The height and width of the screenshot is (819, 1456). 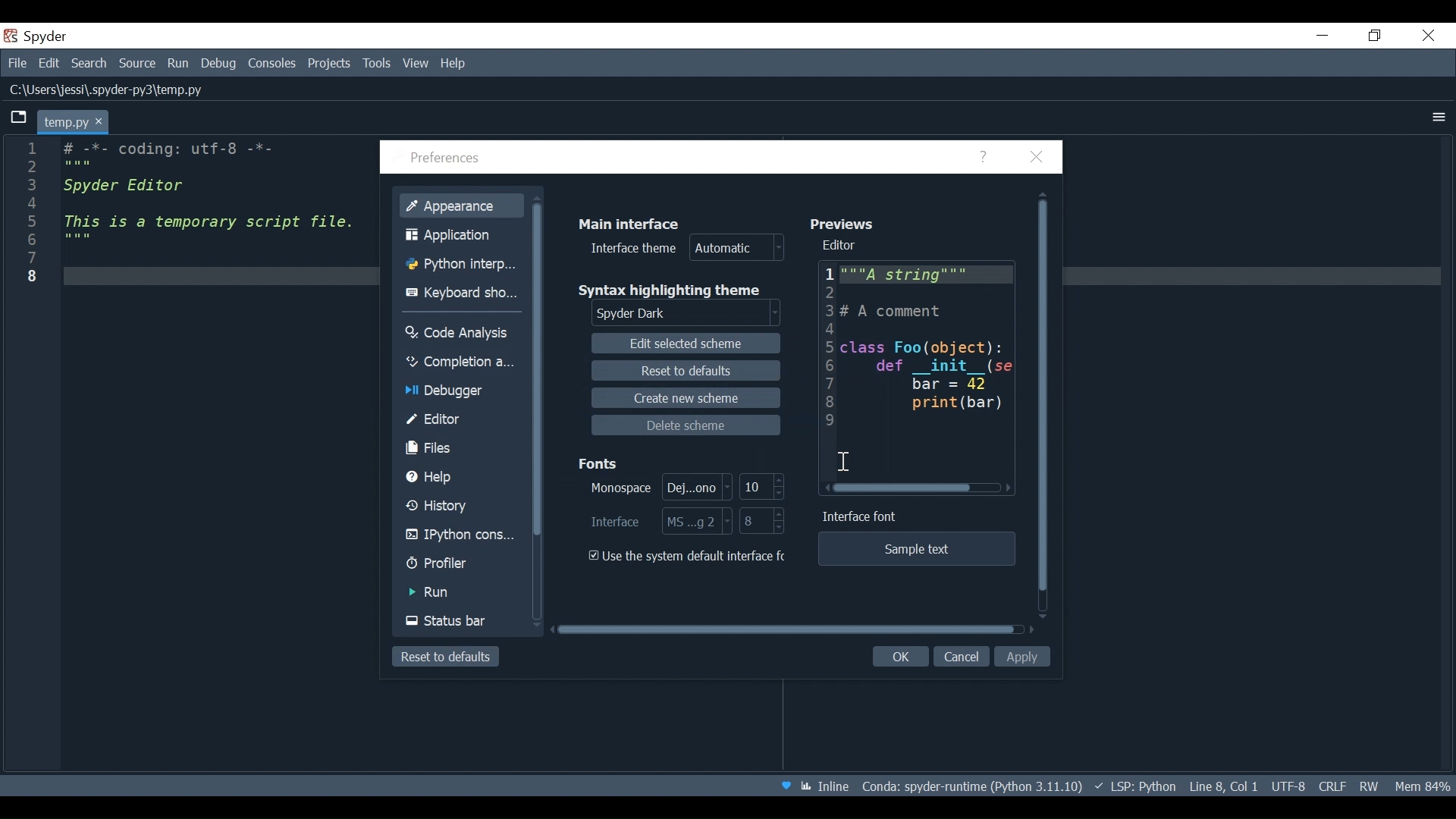 What do you see at coordinates (689, 314) in the screenshot?
I see `Select Syntax highlighting theme` at bounding box center [689, 314].